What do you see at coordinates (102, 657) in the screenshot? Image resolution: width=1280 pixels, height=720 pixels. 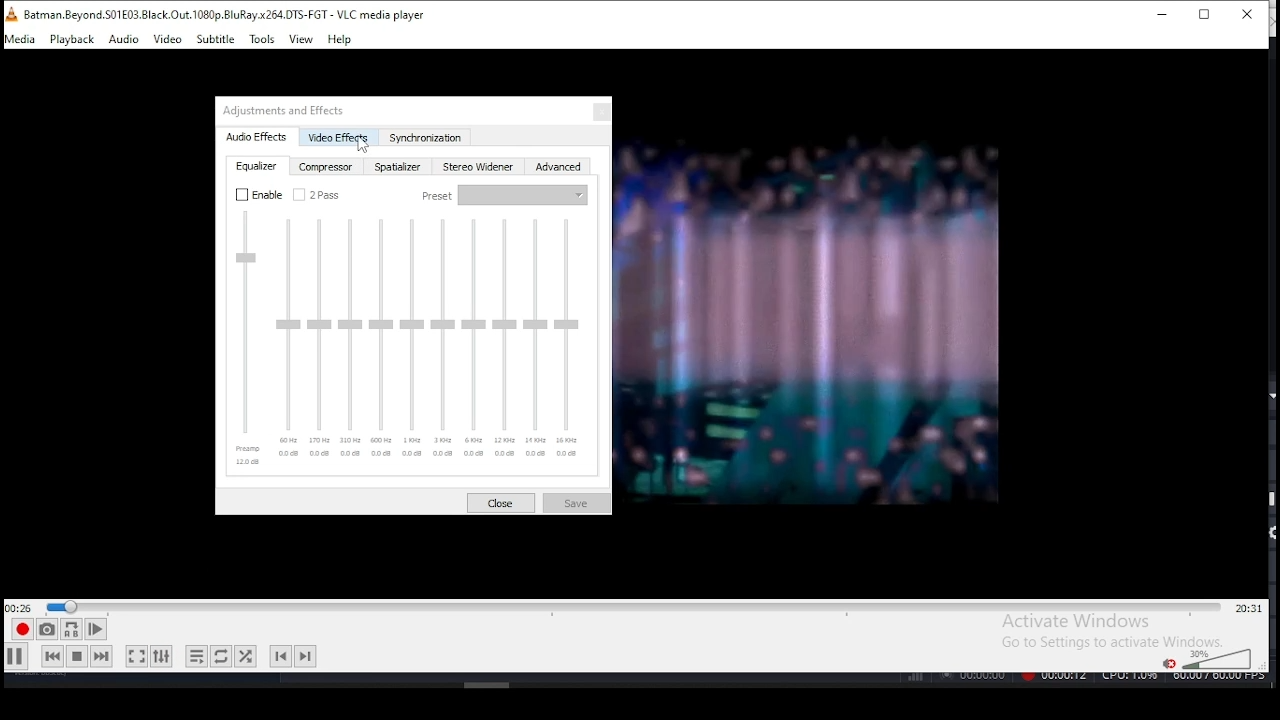 I see `next media in track, skips forward when held` at bounding box center [102, 657].